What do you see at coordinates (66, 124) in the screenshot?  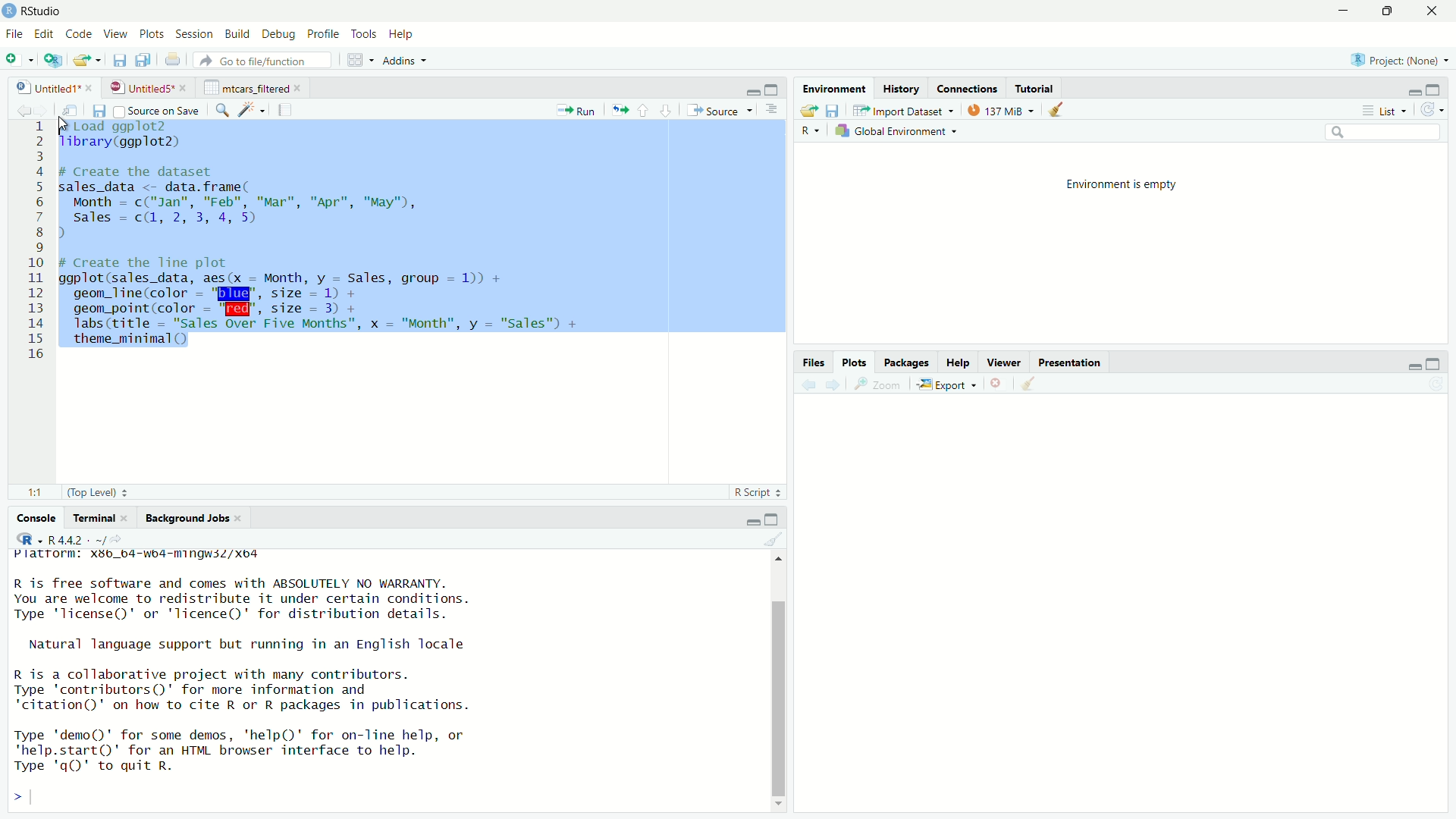 I see `cursor` at bounding box center [66, 124].